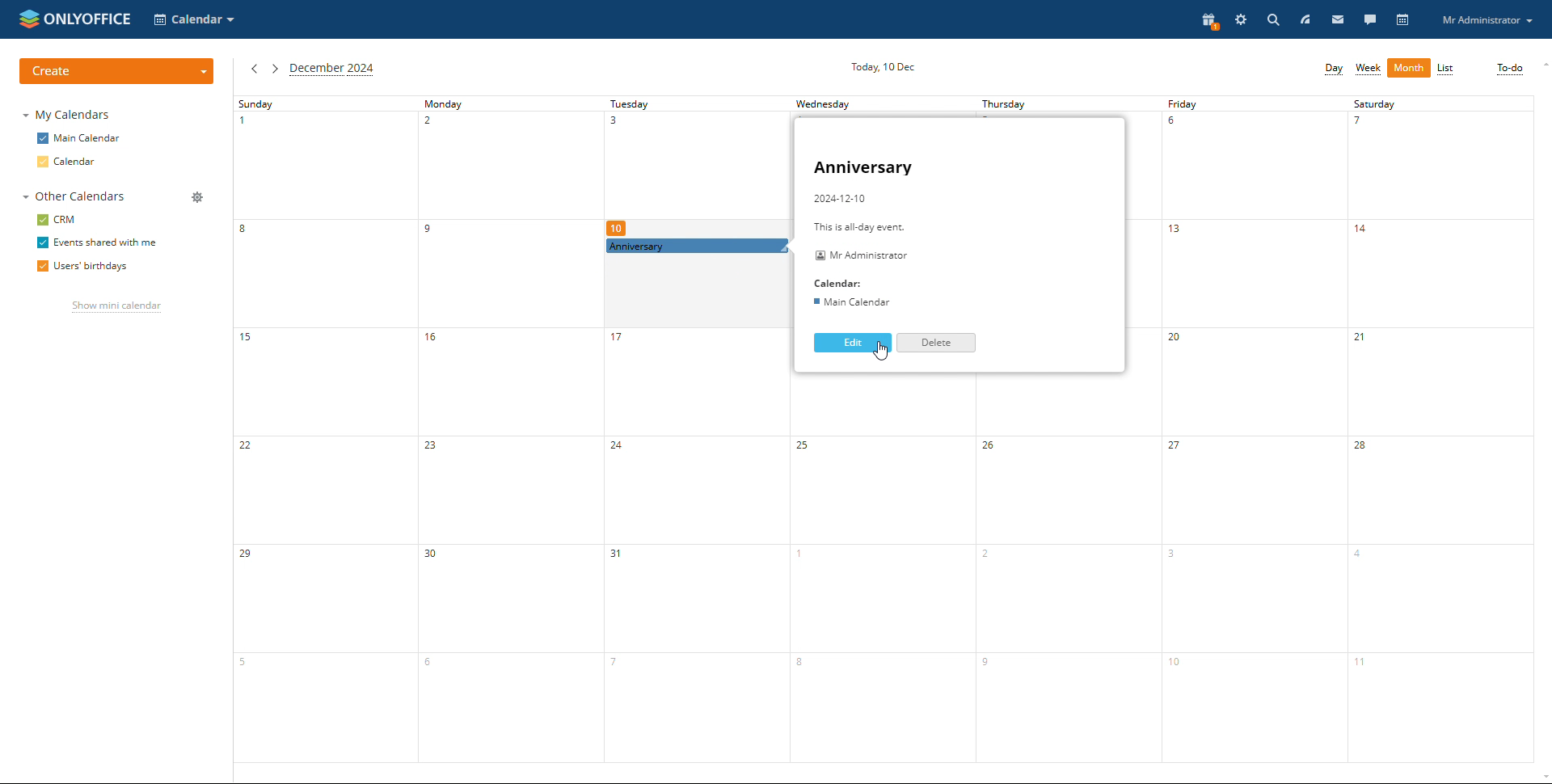  Describe the element at coordinates (65, 114) in the screenshot. I see `my calendars` at that location.